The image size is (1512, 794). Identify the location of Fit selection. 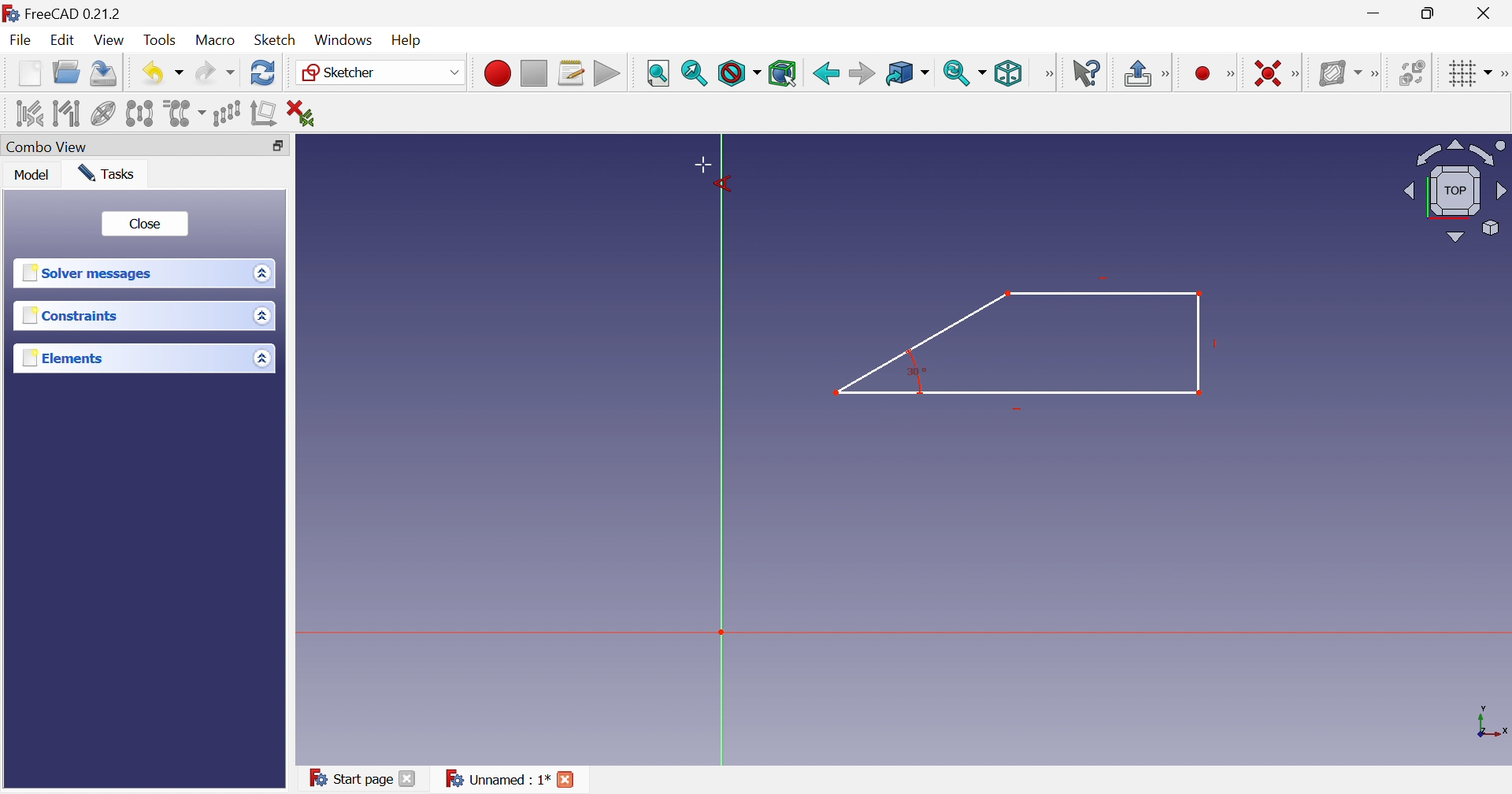
(695, 75).